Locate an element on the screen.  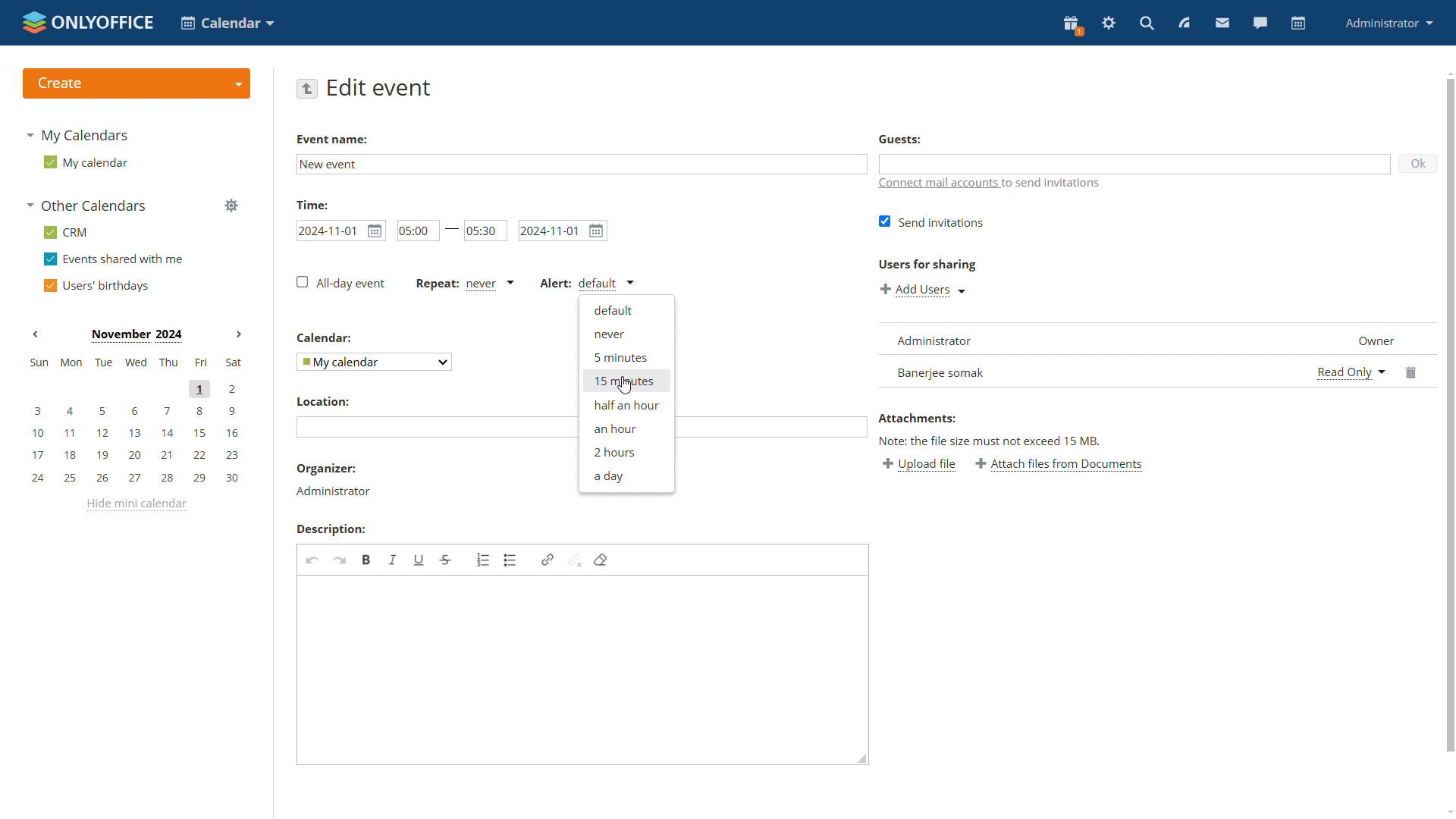
crm is located at coordinates (70, 234).